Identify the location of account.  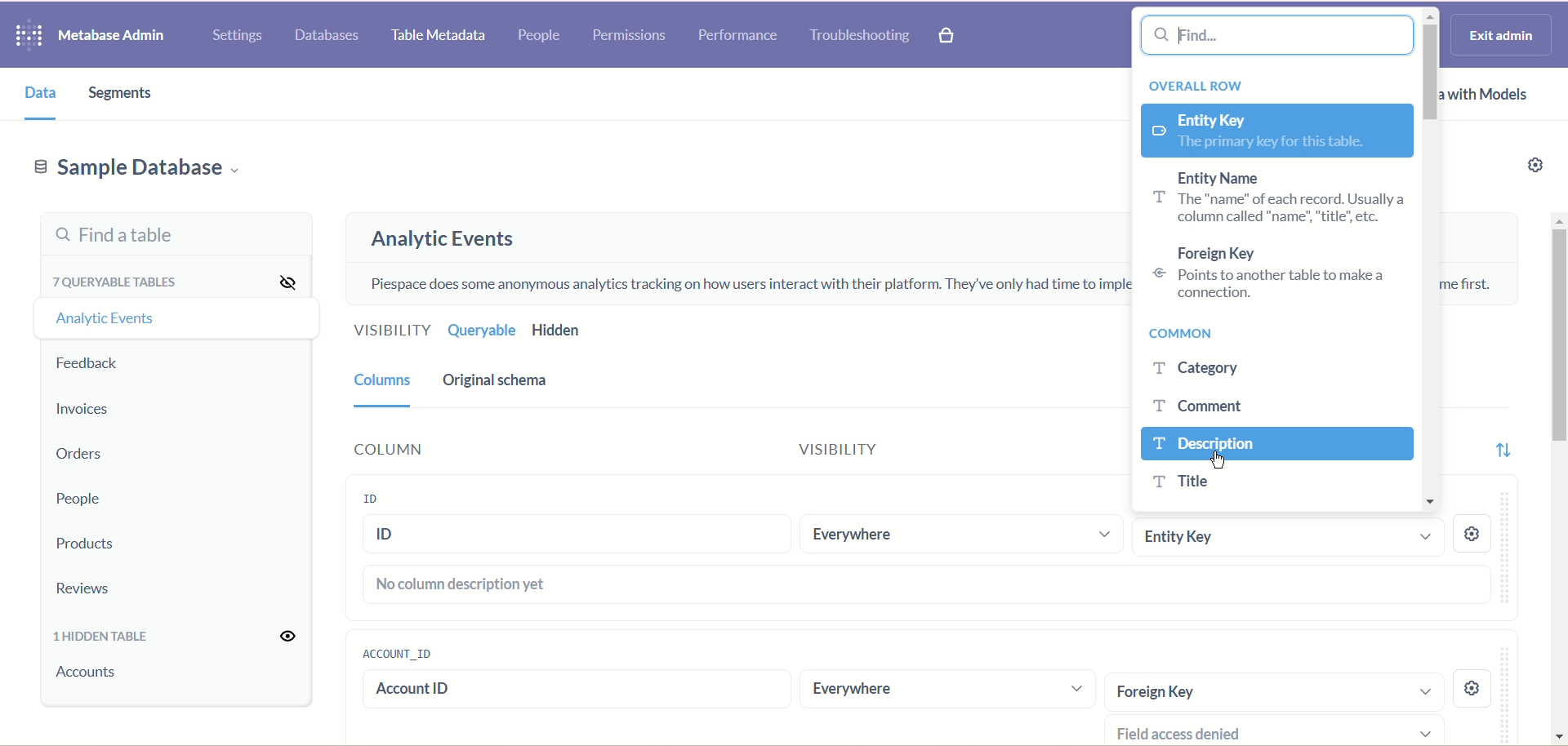
(91, 673).